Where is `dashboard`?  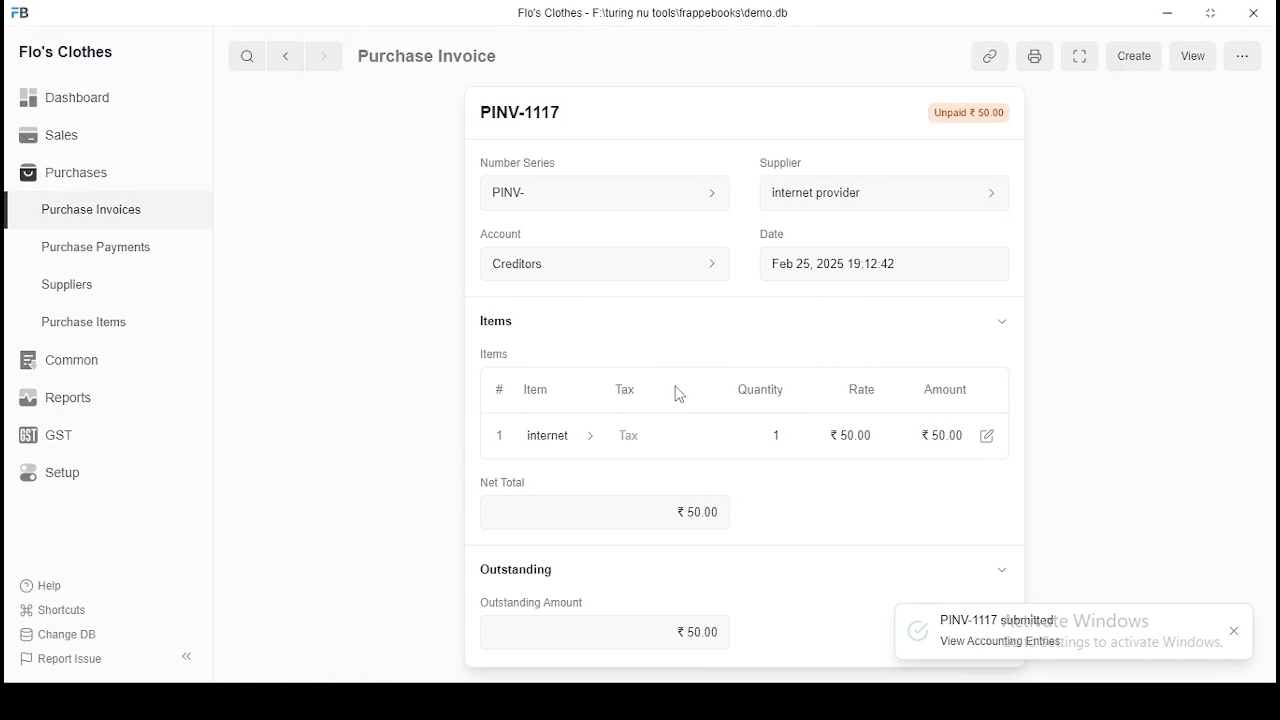
dashboard is located at coordinates (75, 91).